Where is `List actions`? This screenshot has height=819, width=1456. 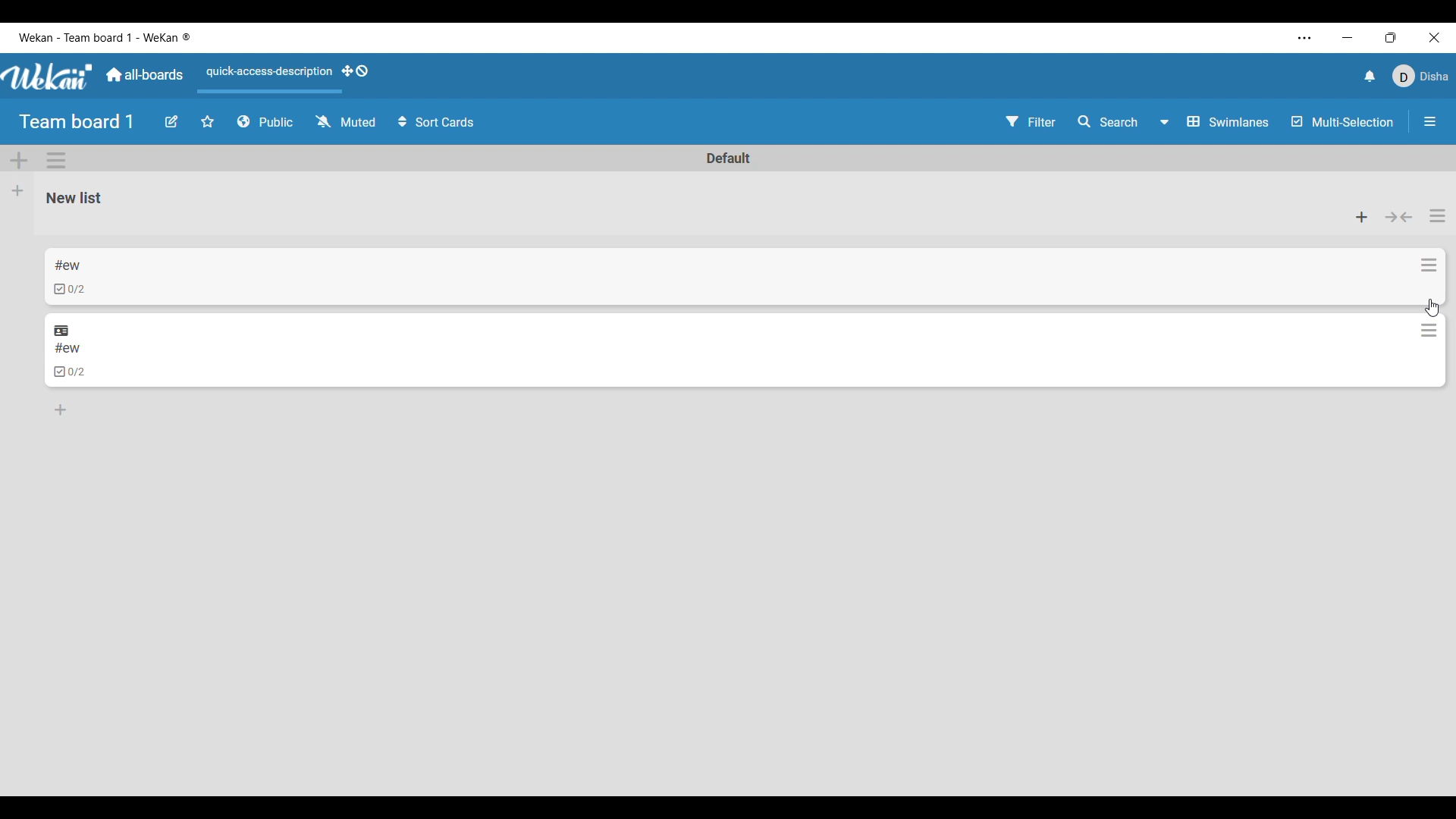
List actions is located at coordinates (1438, 215).